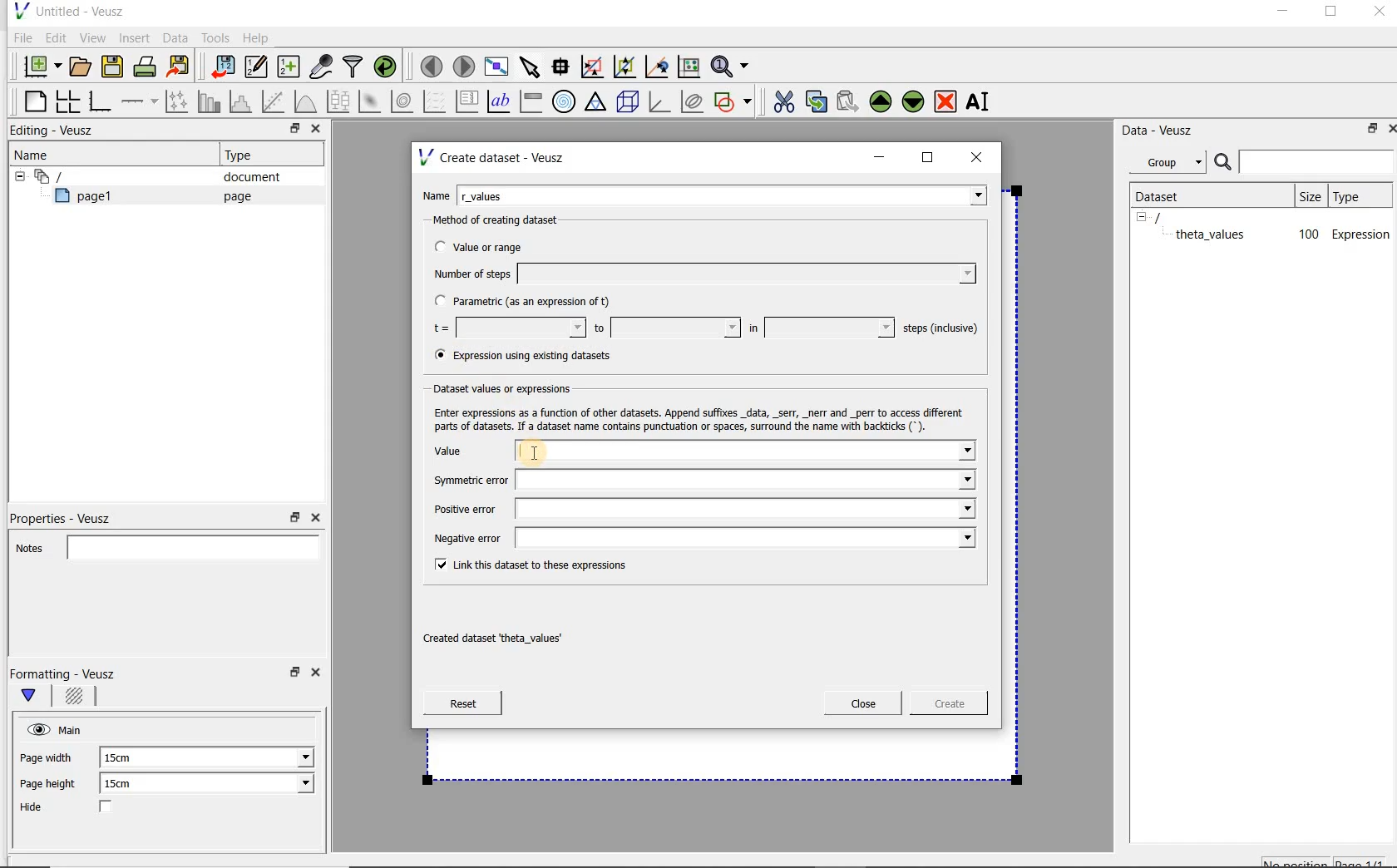 The image size is (1397, 868). What do you see at coordinates (914, 101) in the screenshot?
I see `Move the selected widget down` at bounding box center [914, 101].